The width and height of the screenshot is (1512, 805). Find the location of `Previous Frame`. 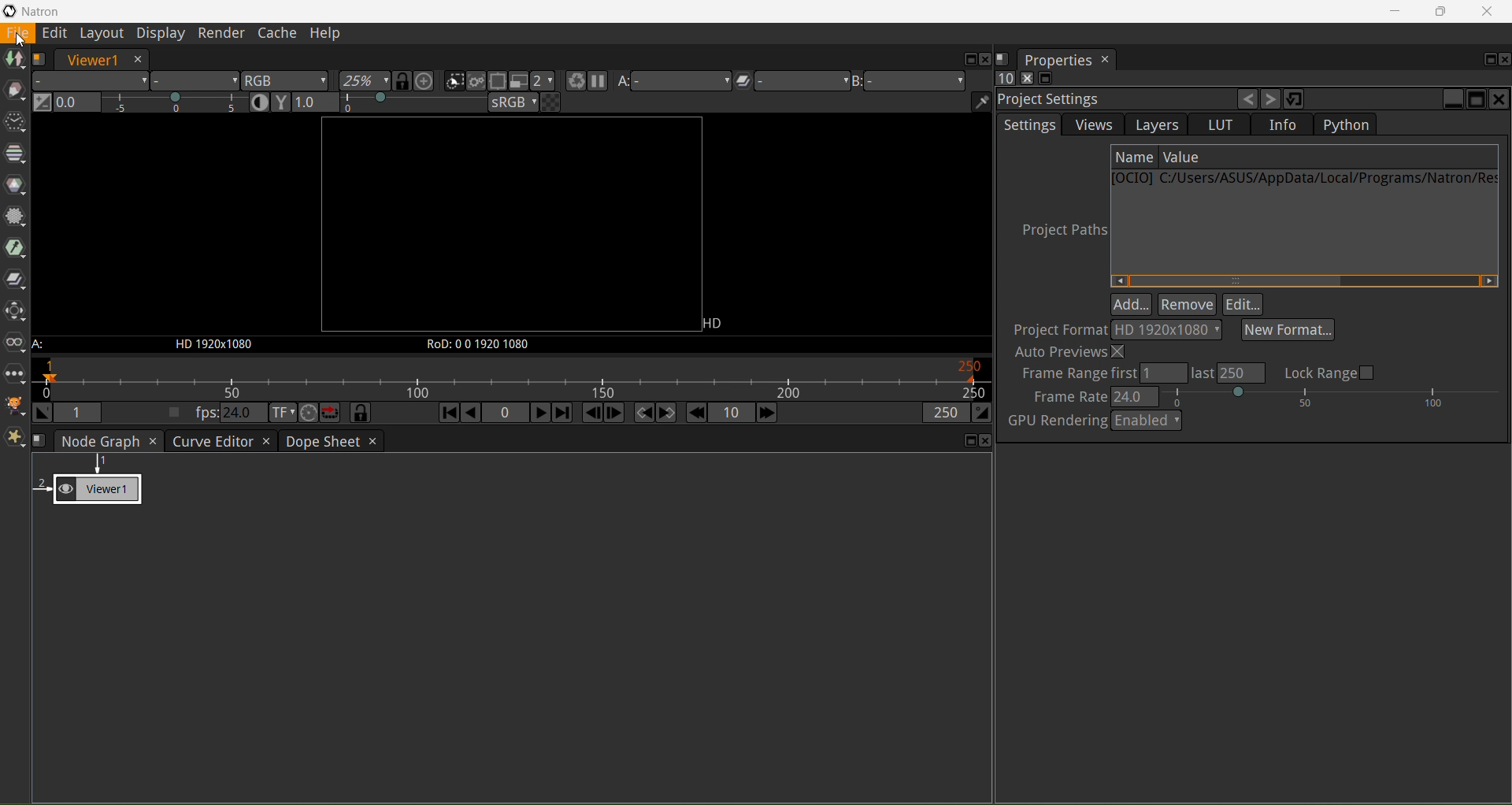

Previous Frame is located at coordinates (591, 414).